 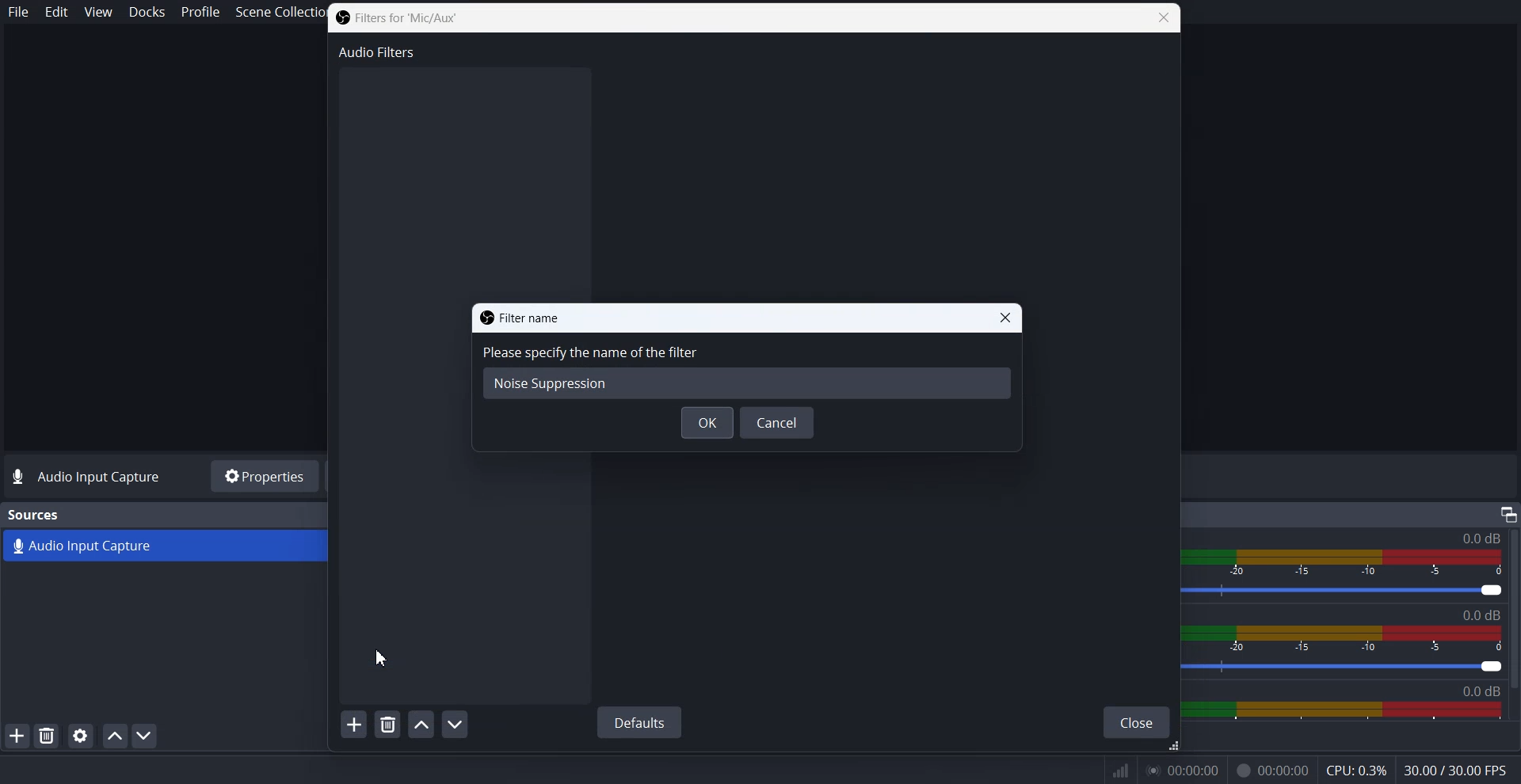 I want to click on 0.00db, so click(x=1492, y=691).